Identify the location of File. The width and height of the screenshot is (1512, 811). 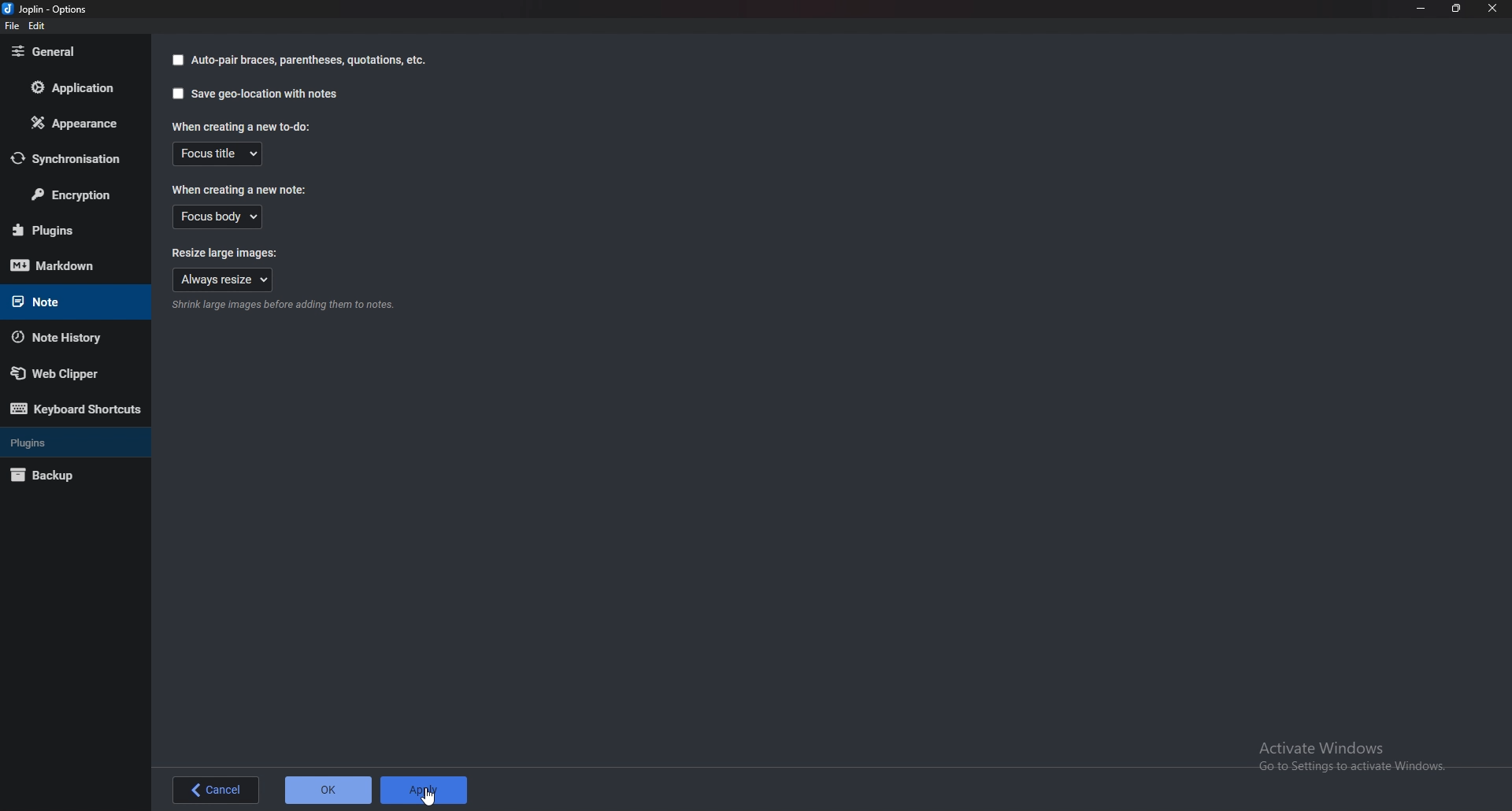
(13, 25).